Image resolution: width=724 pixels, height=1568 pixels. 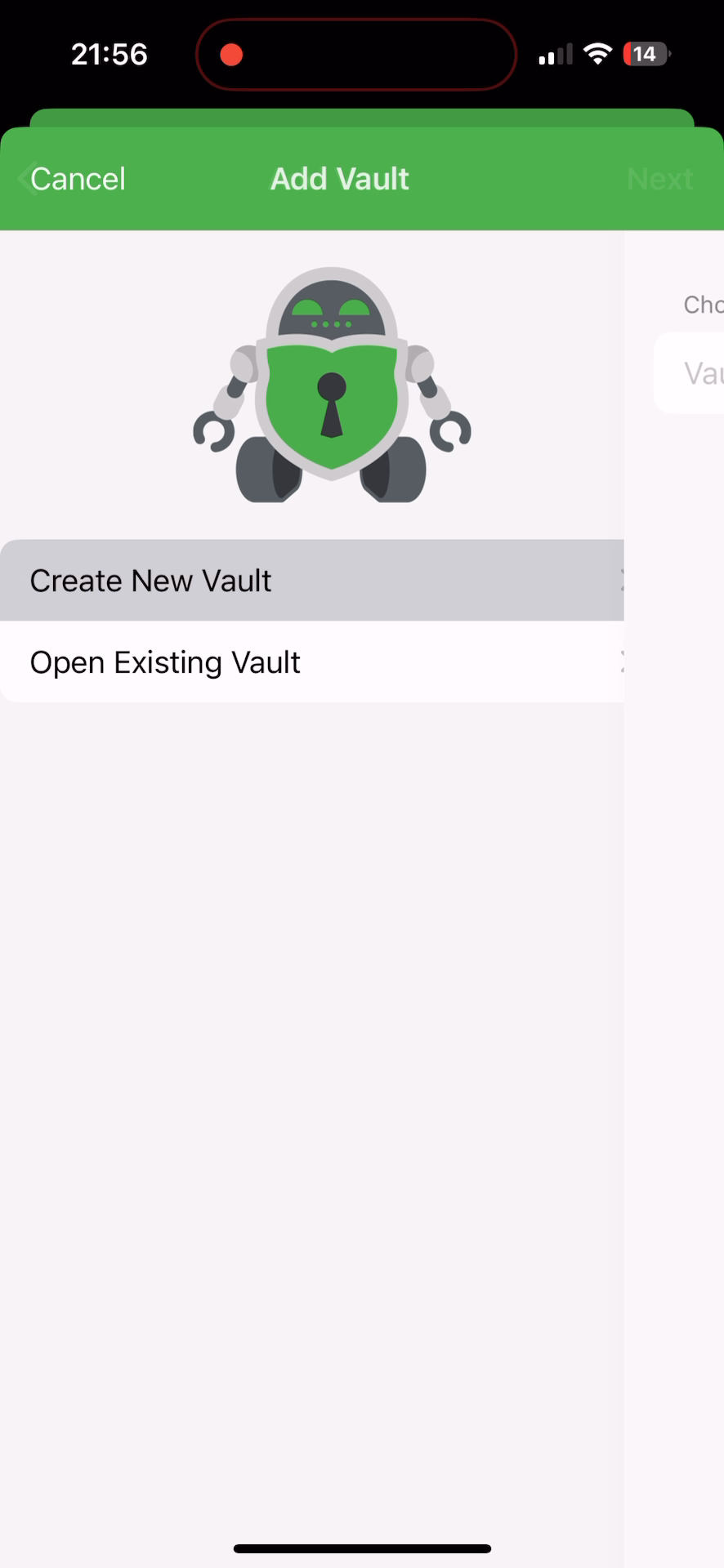 What do you see at coordinates (166, 666) in the screenshot?
I see `open existing Vault` at bounding box center [166, 666].